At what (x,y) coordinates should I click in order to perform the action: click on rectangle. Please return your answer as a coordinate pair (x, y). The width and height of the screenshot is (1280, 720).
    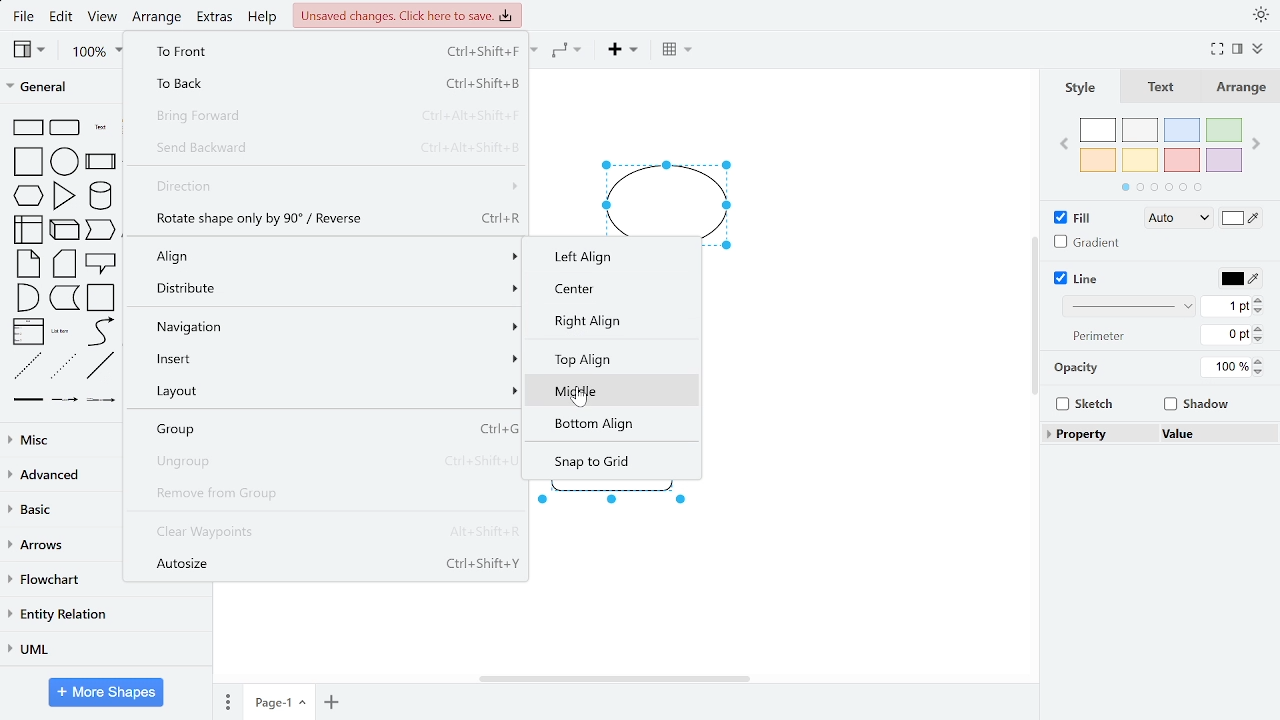
    Looking at the image, I should click on (29, 127).